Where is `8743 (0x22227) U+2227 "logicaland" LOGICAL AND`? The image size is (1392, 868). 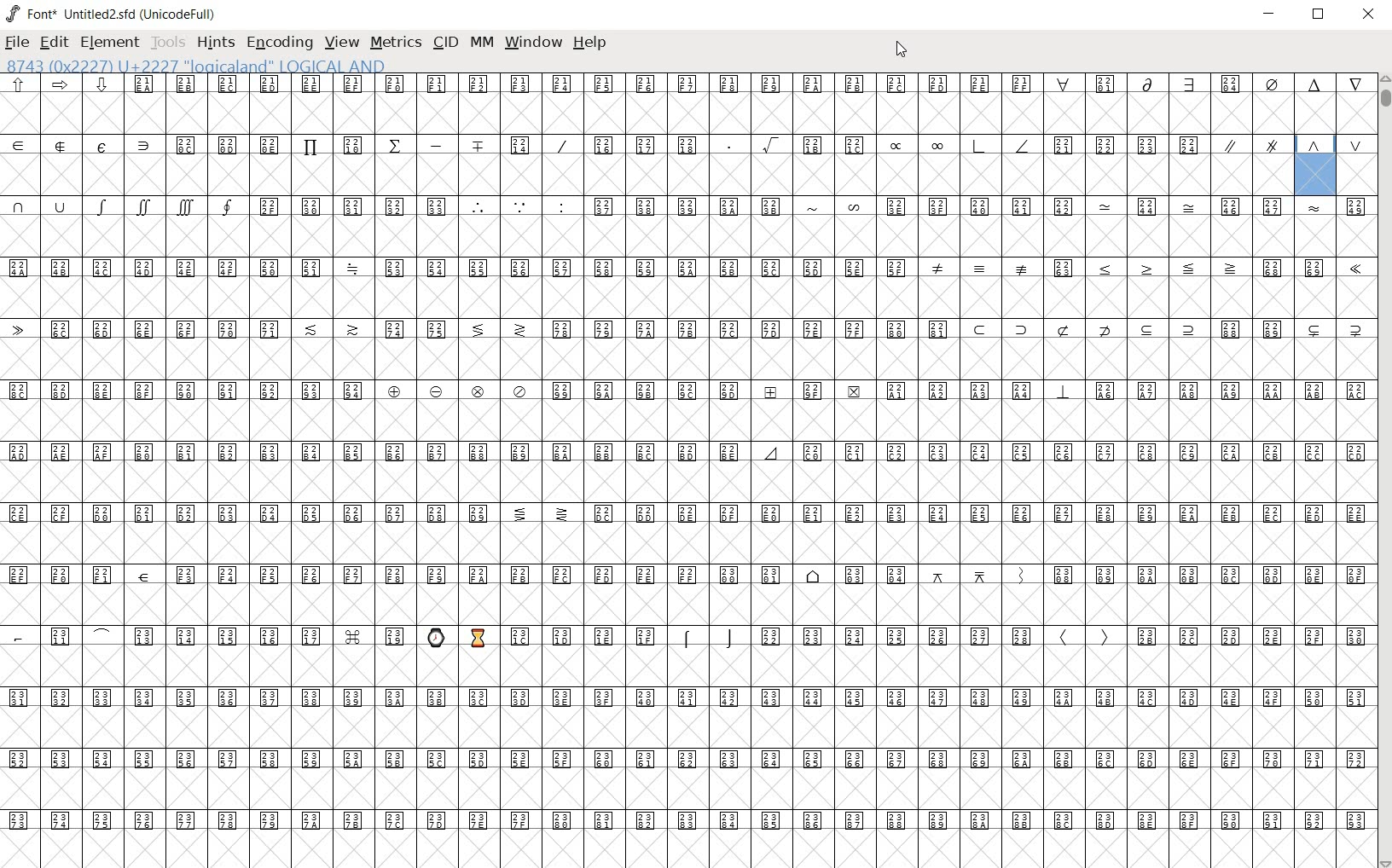
8743 (0x22227) U+2227 "logicaland" LOGICAL AND is located at coordinates (198, 67).